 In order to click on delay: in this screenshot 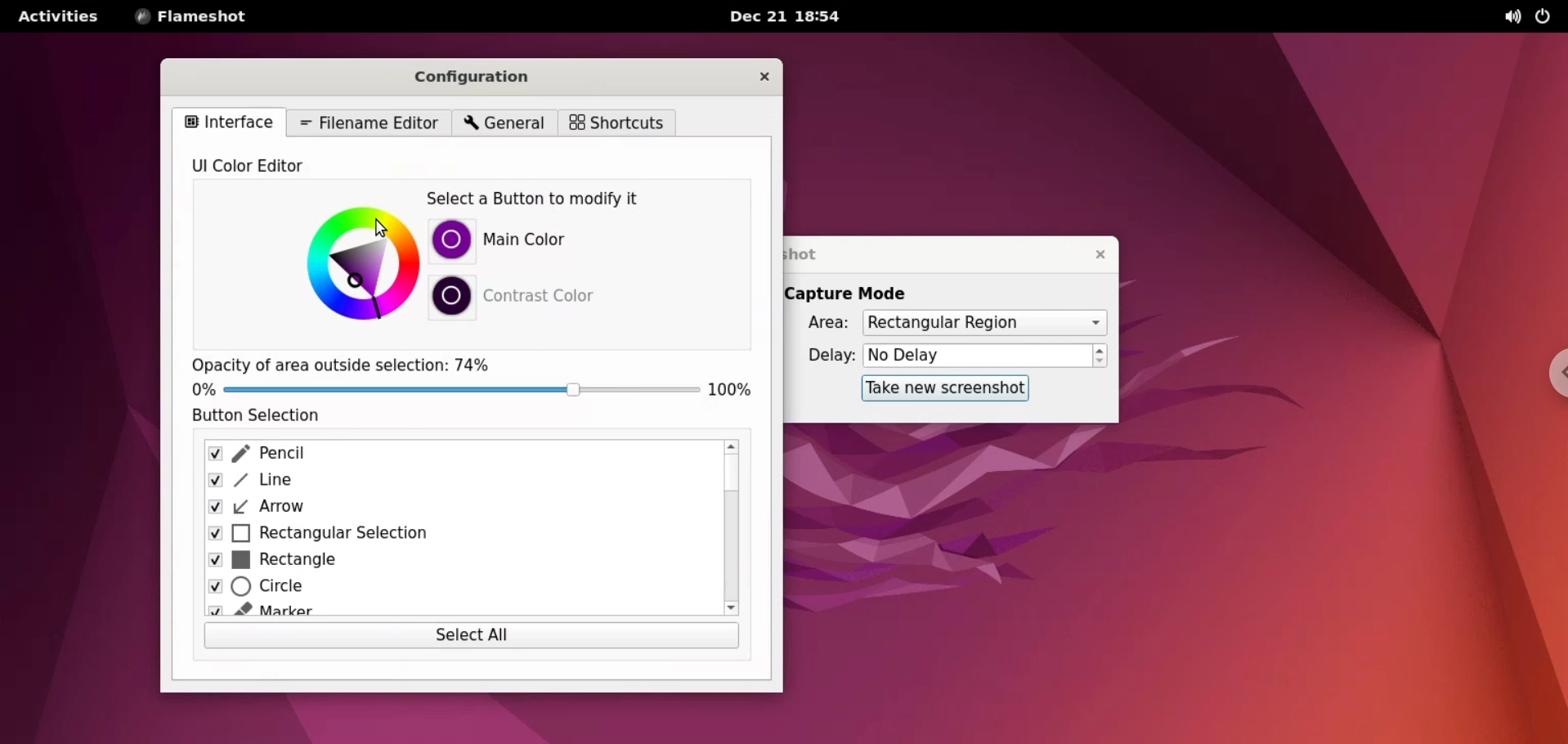, I will do `click(822, 358)`.